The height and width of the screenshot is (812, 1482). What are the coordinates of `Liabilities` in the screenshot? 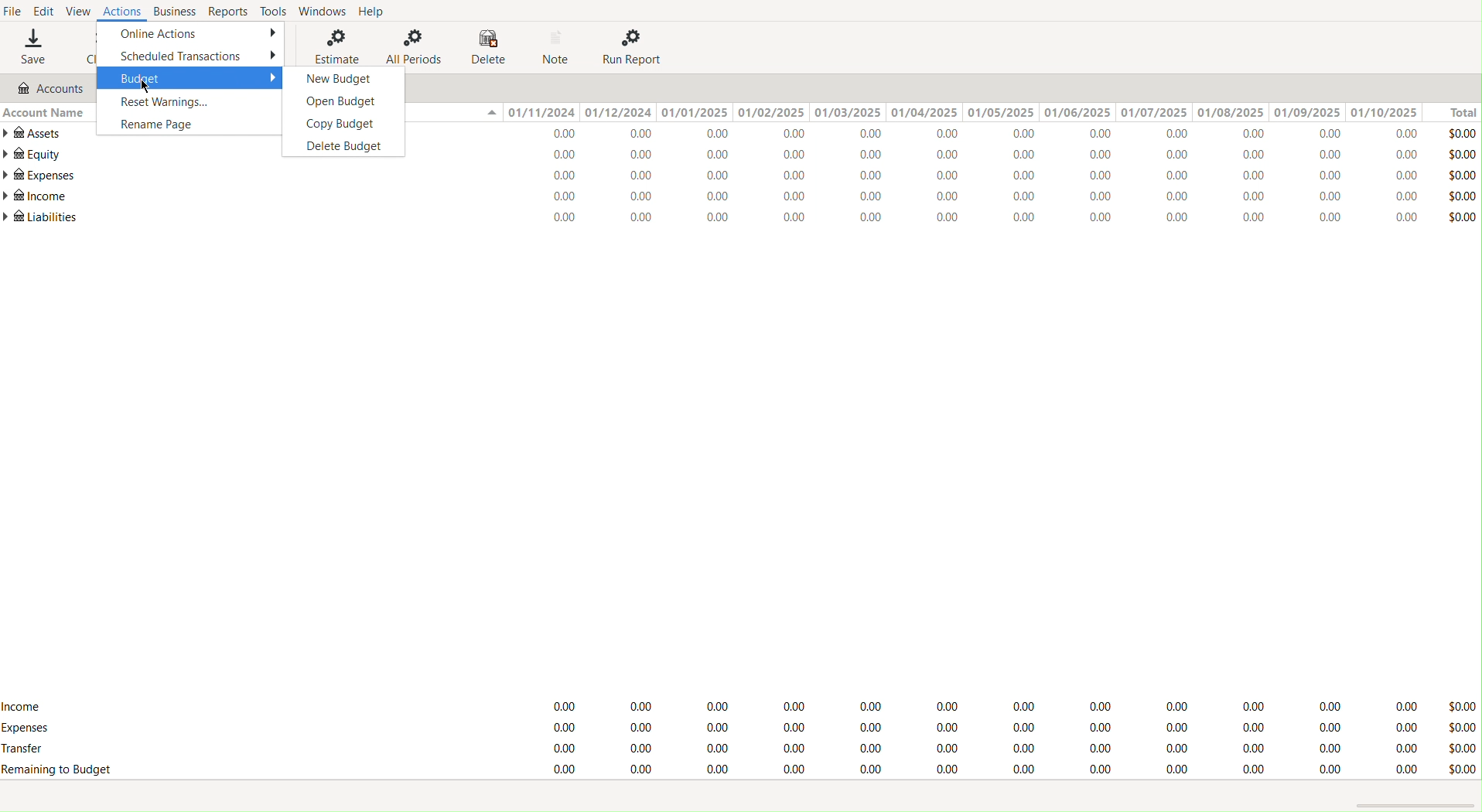 It's located at (42, 217).